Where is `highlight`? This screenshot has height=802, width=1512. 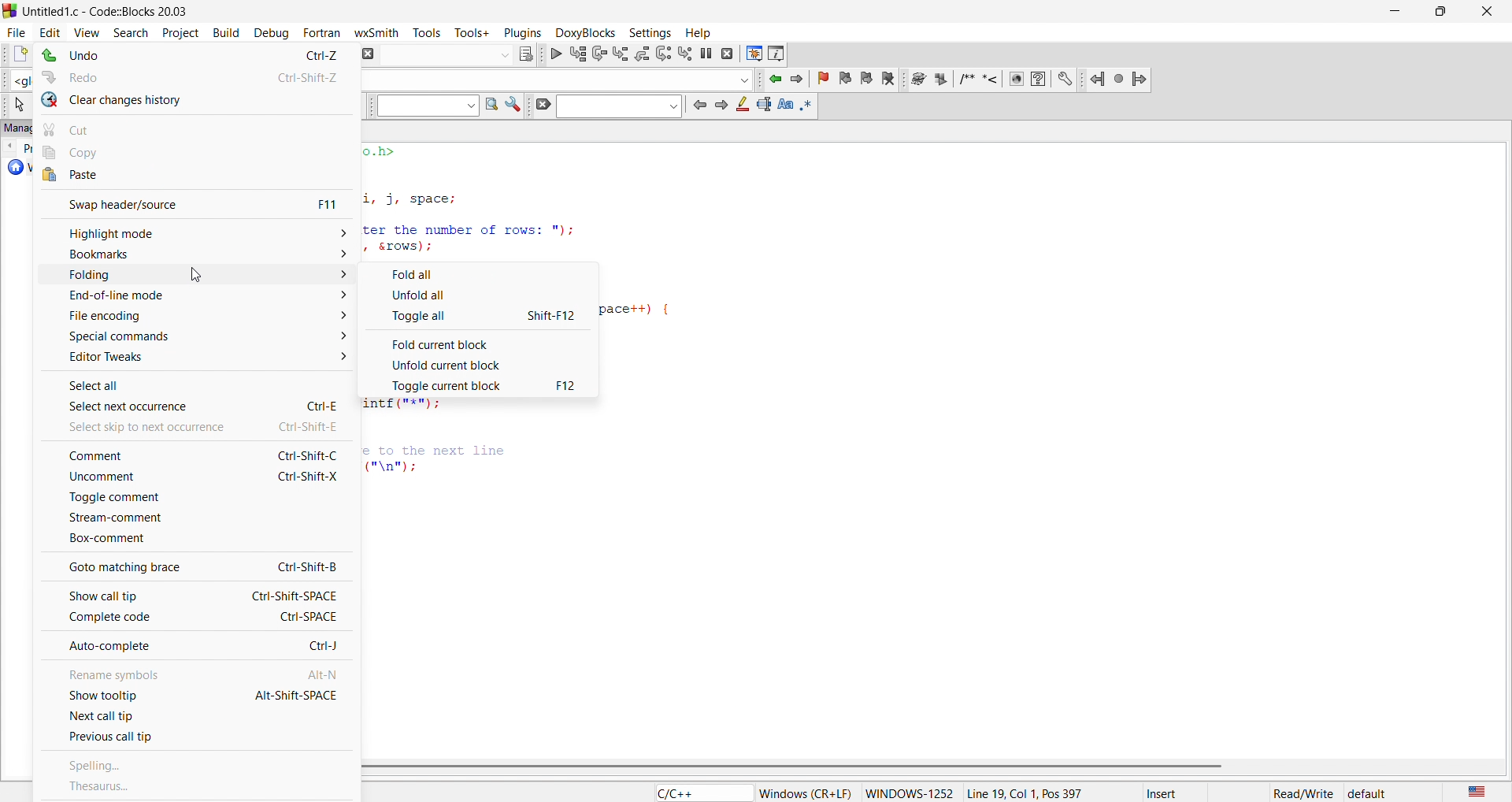 highlight is located at coordinates (742, 104).